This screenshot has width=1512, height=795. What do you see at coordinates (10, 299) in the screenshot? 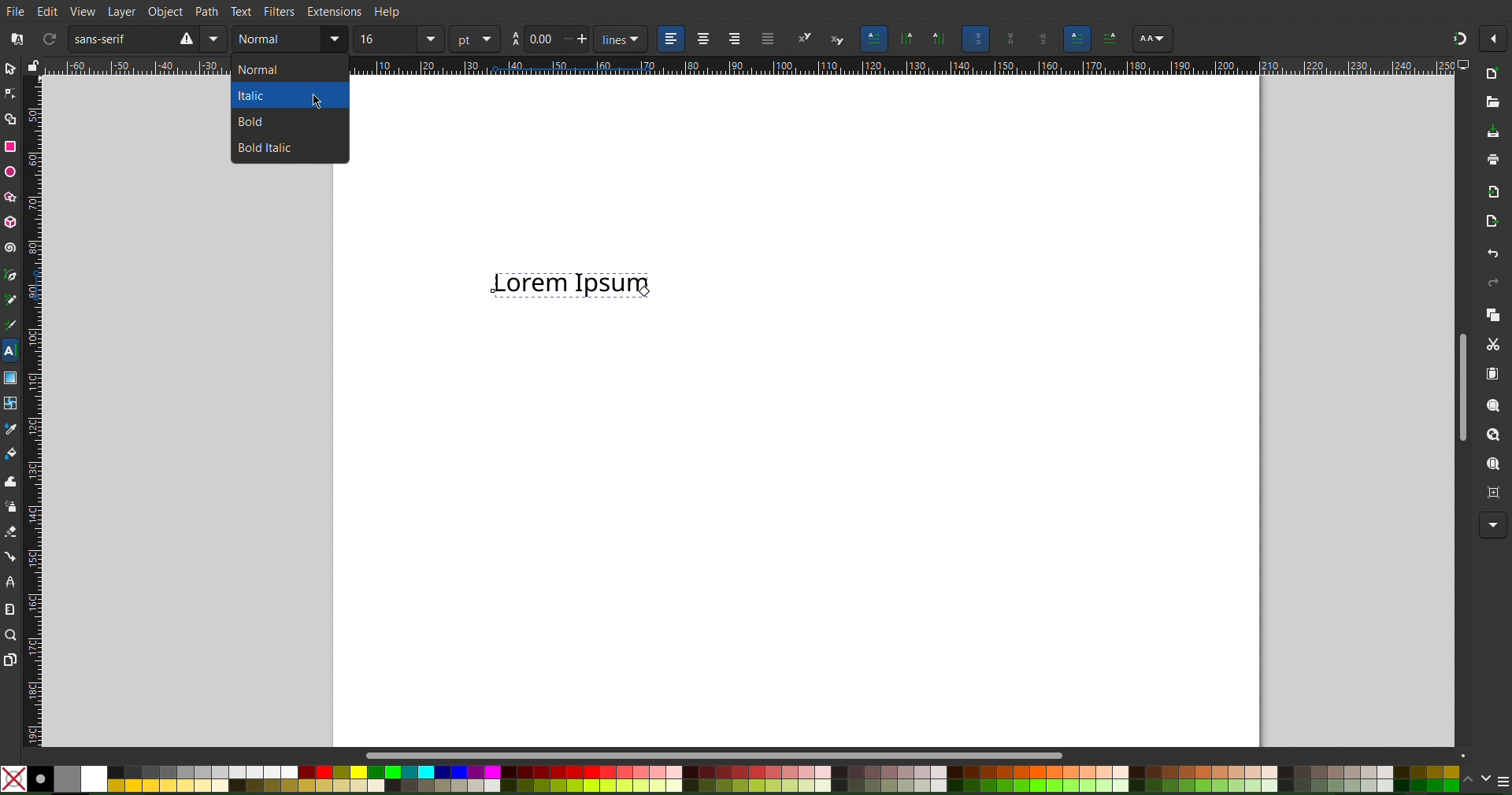
I see `Pencil Tool` at bounding box center [10, 299].